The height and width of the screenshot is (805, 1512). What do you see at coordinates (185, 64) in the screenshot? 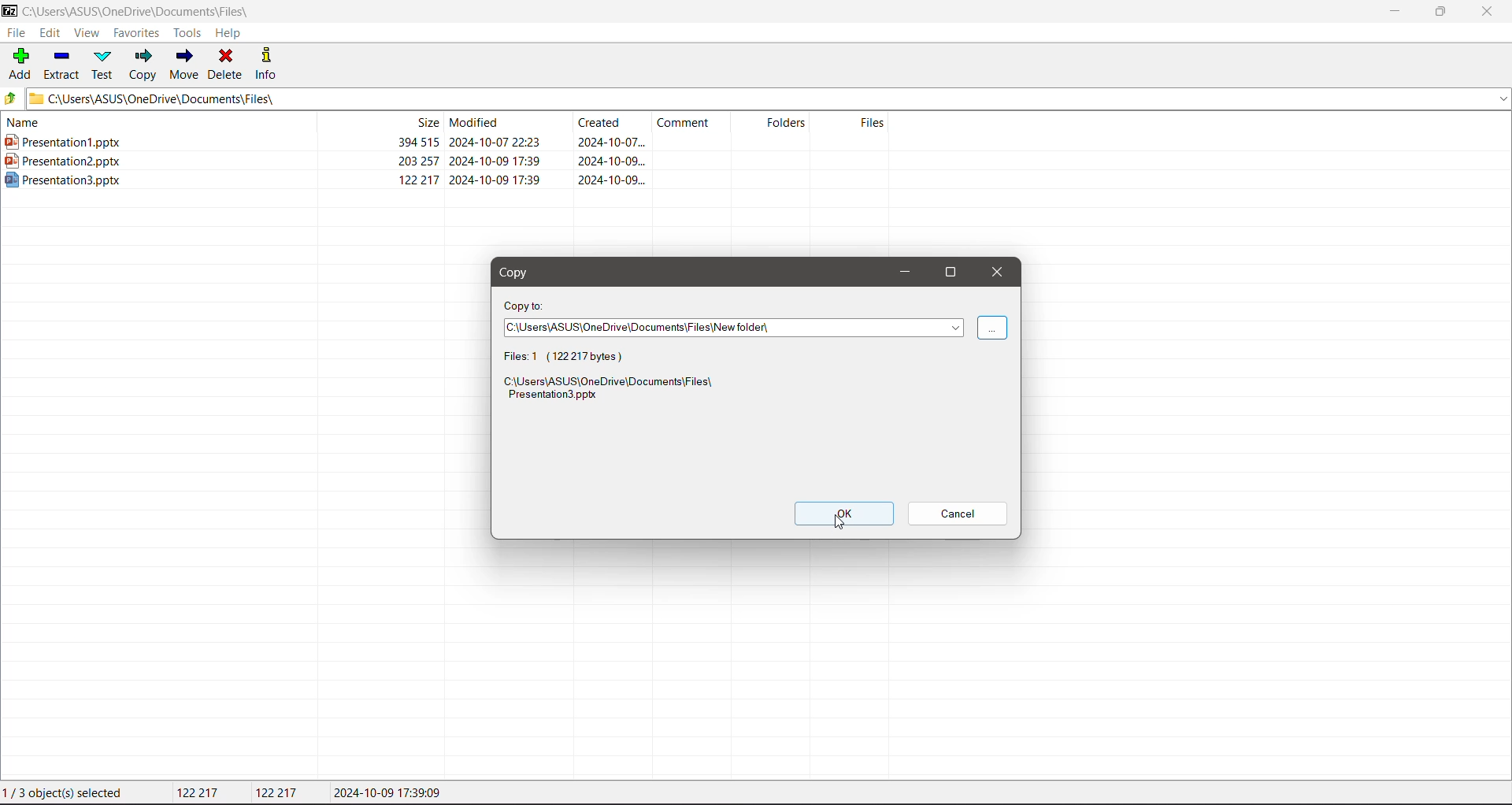
I see `Move` at bounding box center [185, 64].